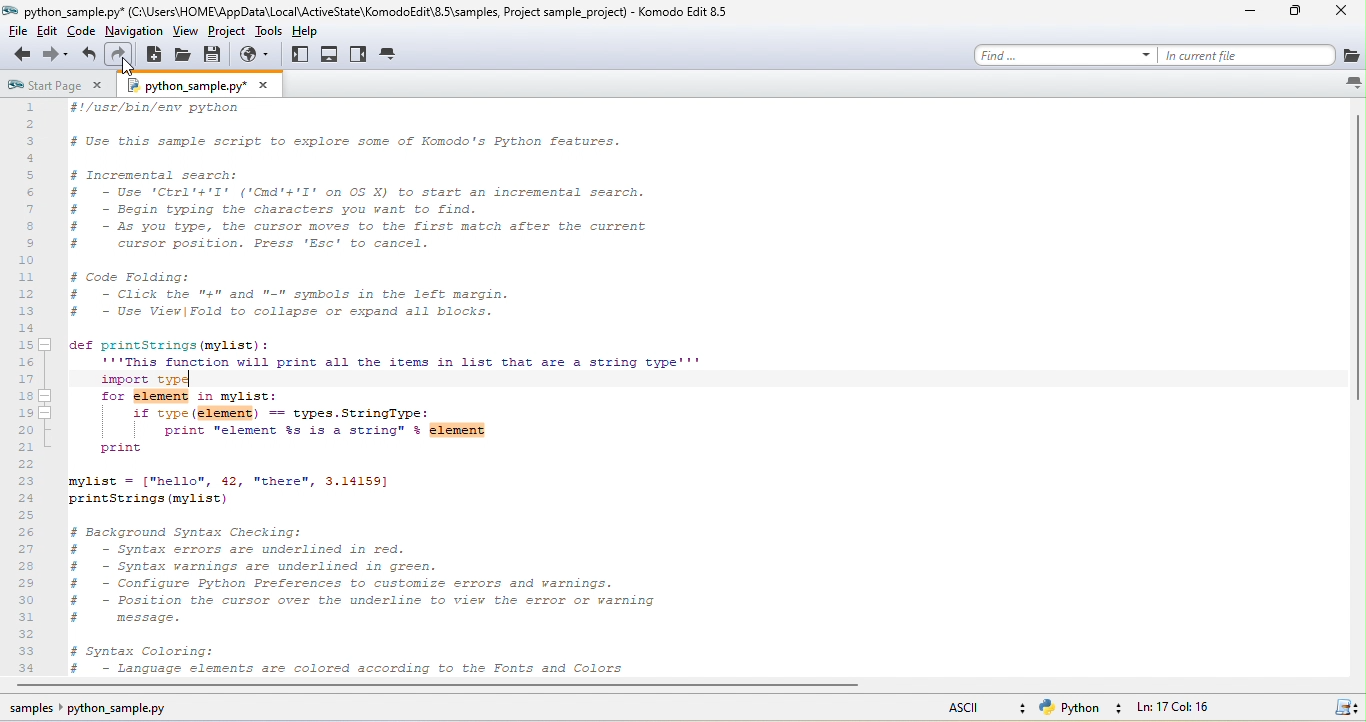  Describe the element at coordinates (267, 34) in the screenshot. I see `tools` at that location.